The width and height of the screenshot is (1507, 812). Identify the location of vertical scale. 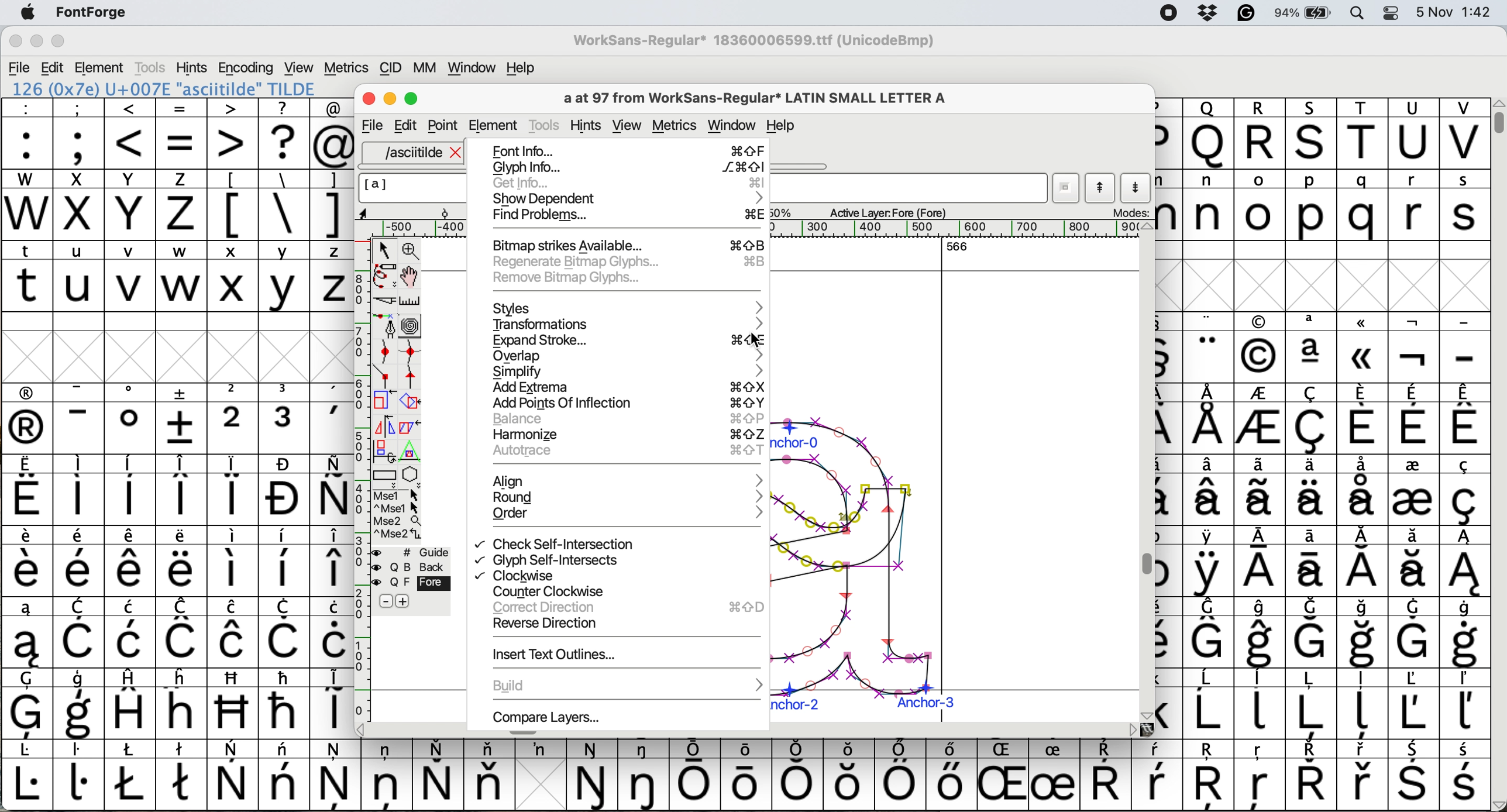
(361, 466).